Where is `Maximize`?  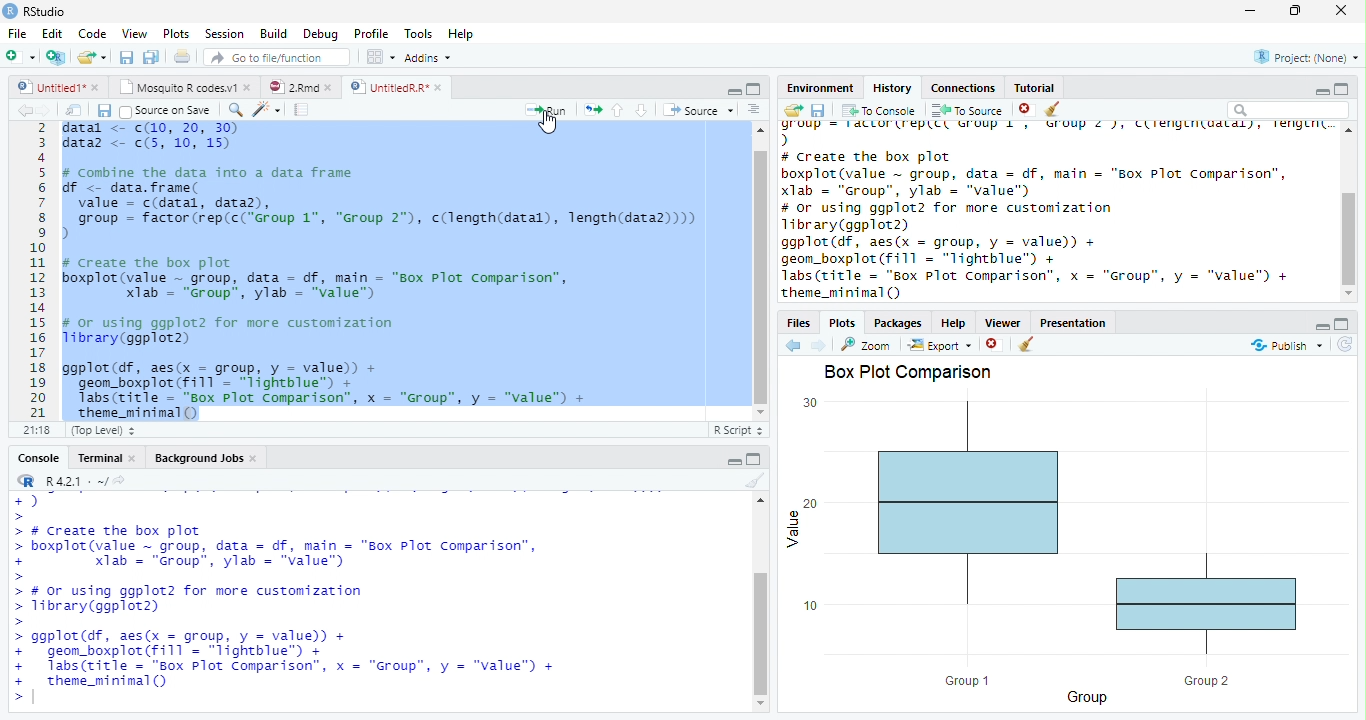 Maximize is located at coordinates (1342, 89).